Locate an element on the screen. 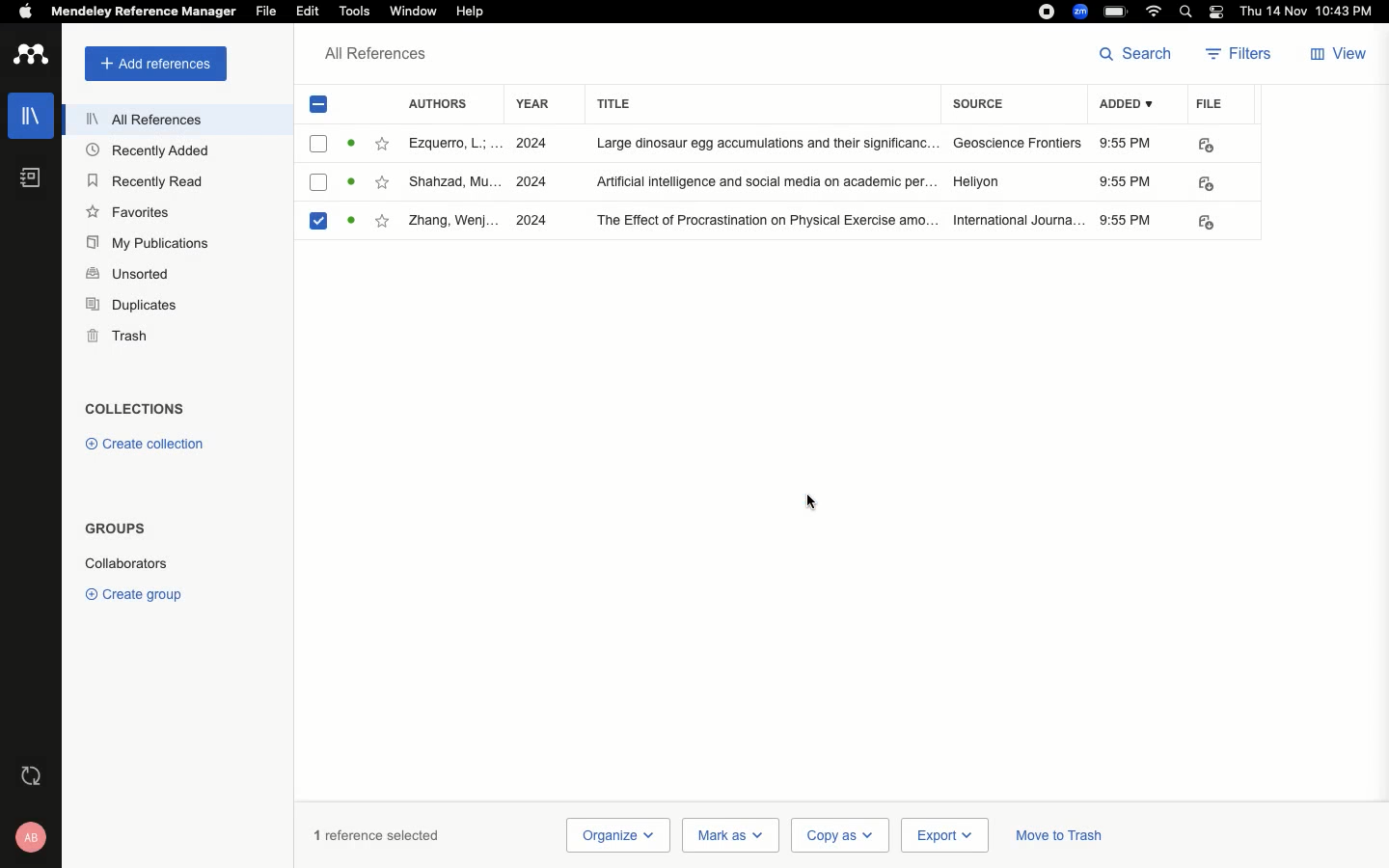  Last sync is located at coordinates (34, 775).